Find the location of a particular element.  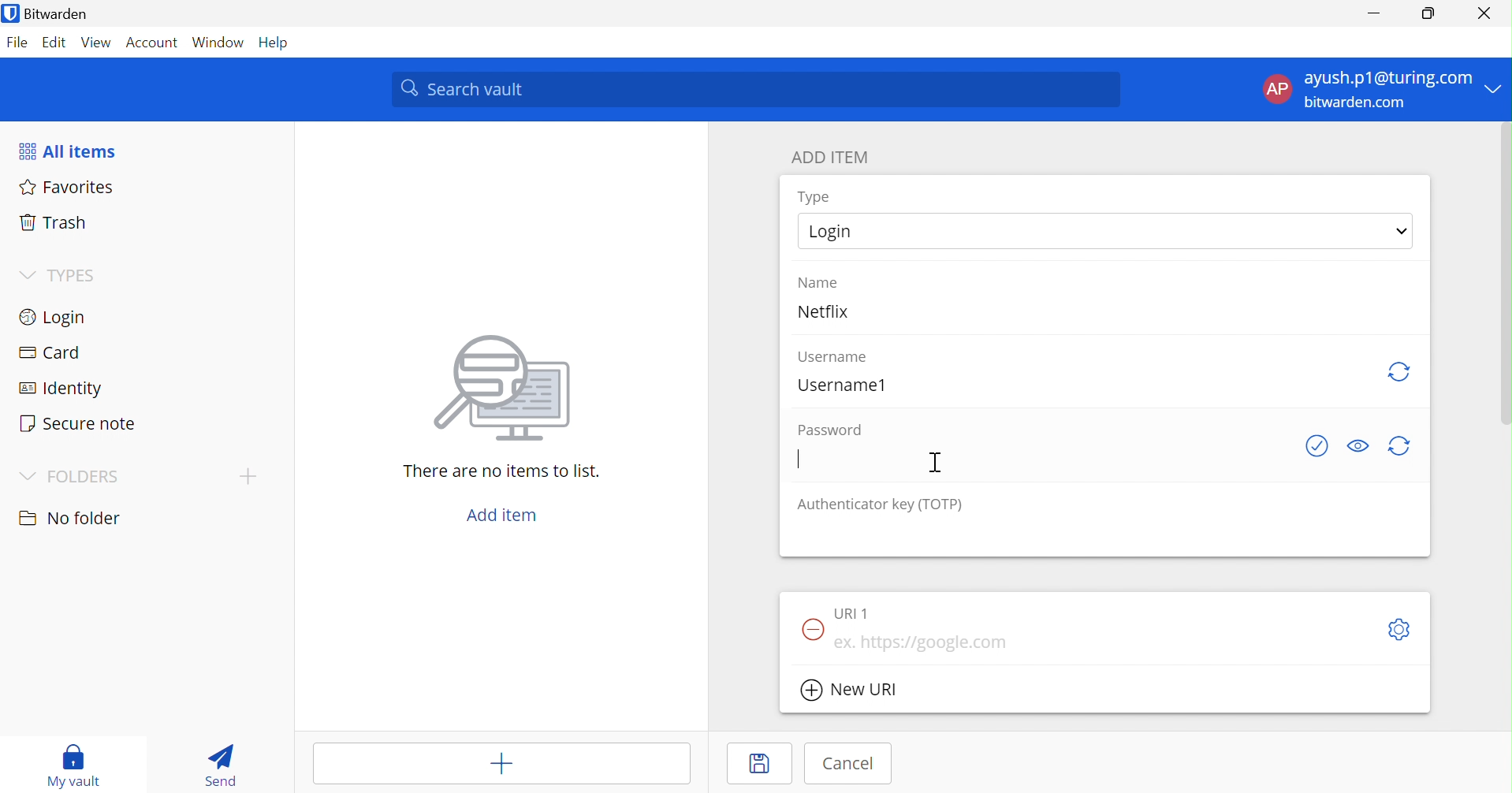

Generate password is located at coordinates (1398, 446).